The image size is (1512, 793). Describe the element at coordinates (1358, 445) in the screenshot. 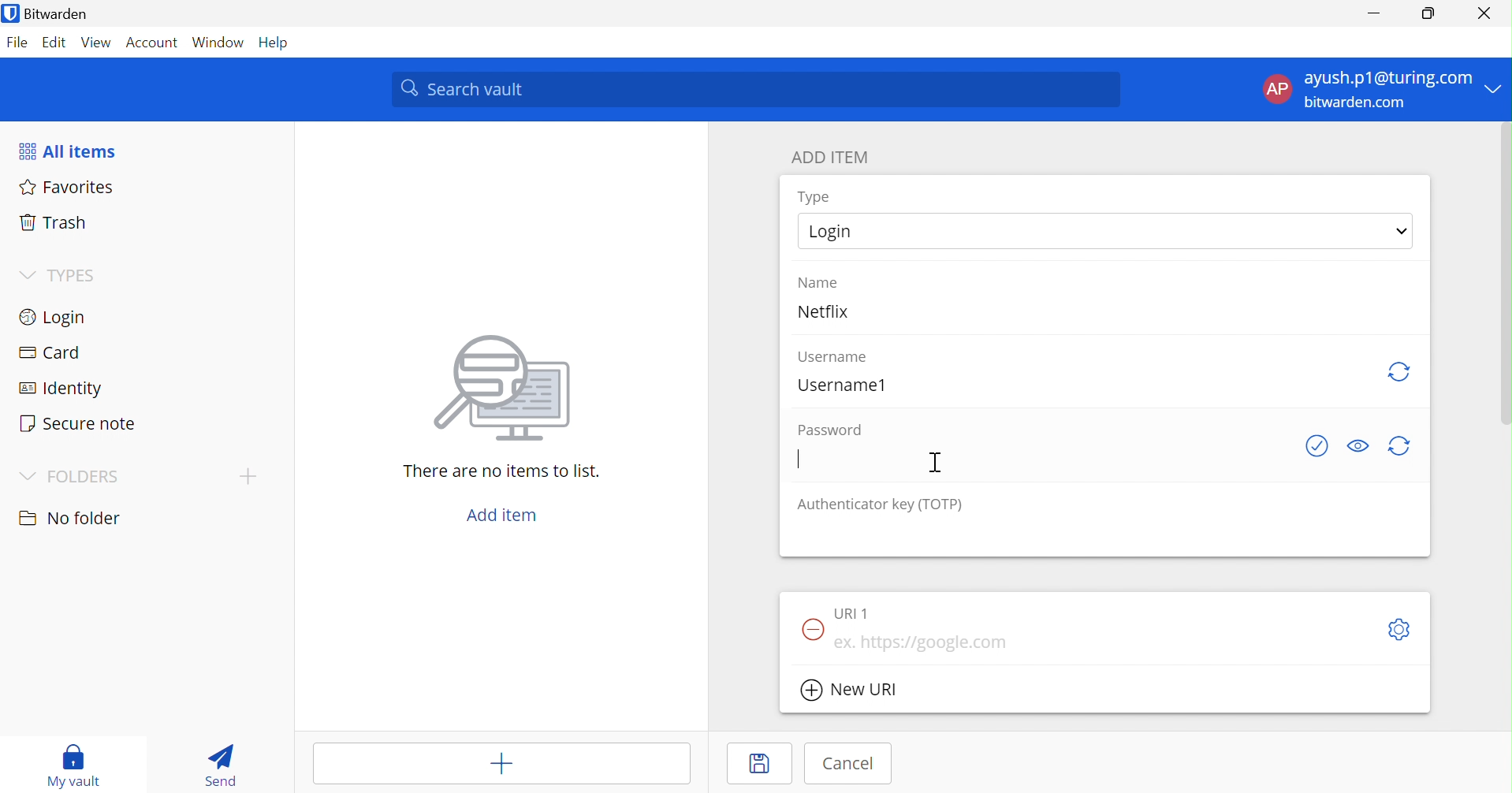

I see `Toggle visibility` at that location.